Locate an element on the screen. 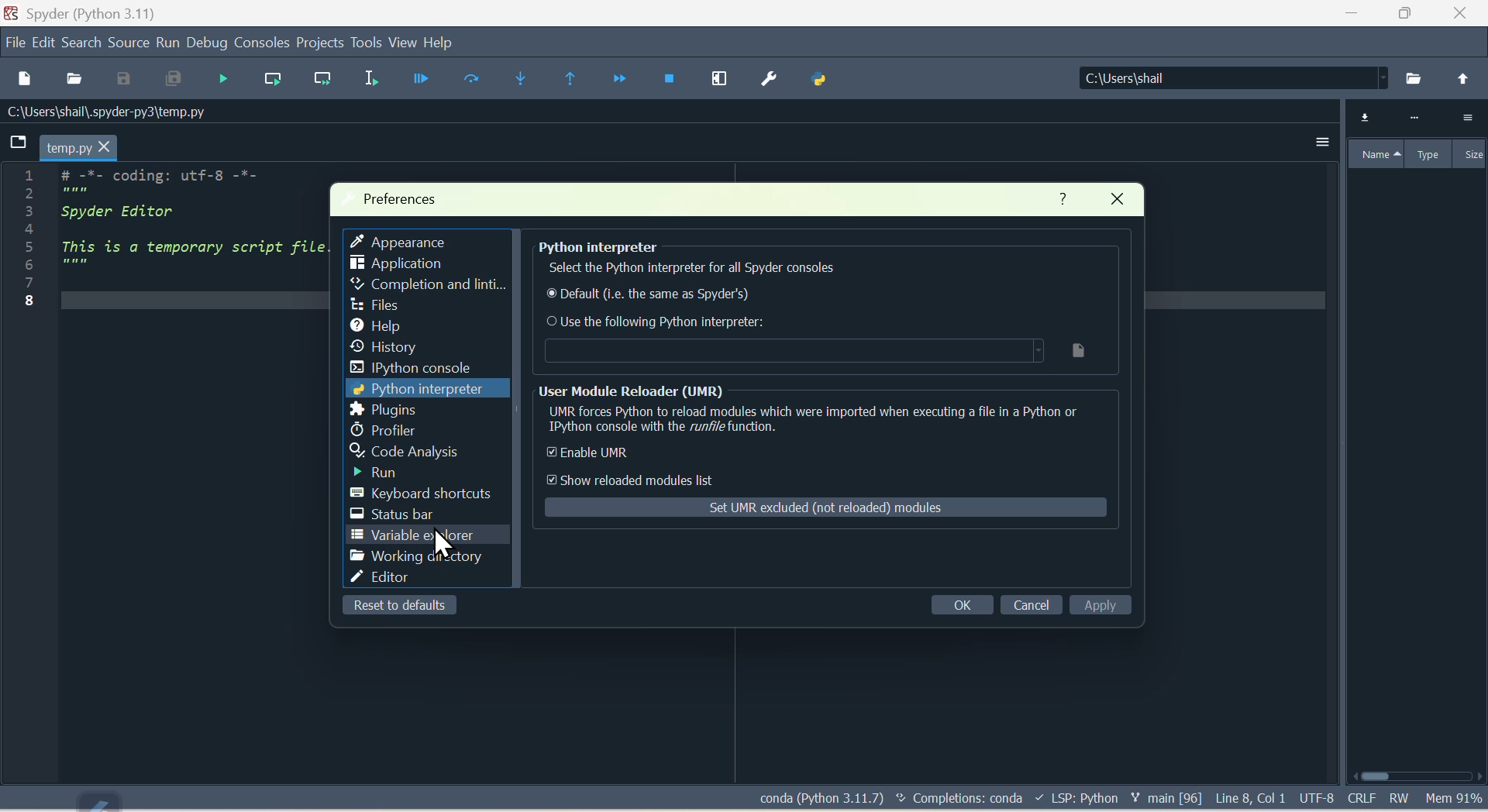 This screenshot has width=1488, height=812. Completion and is located at coordinates (422, 286).